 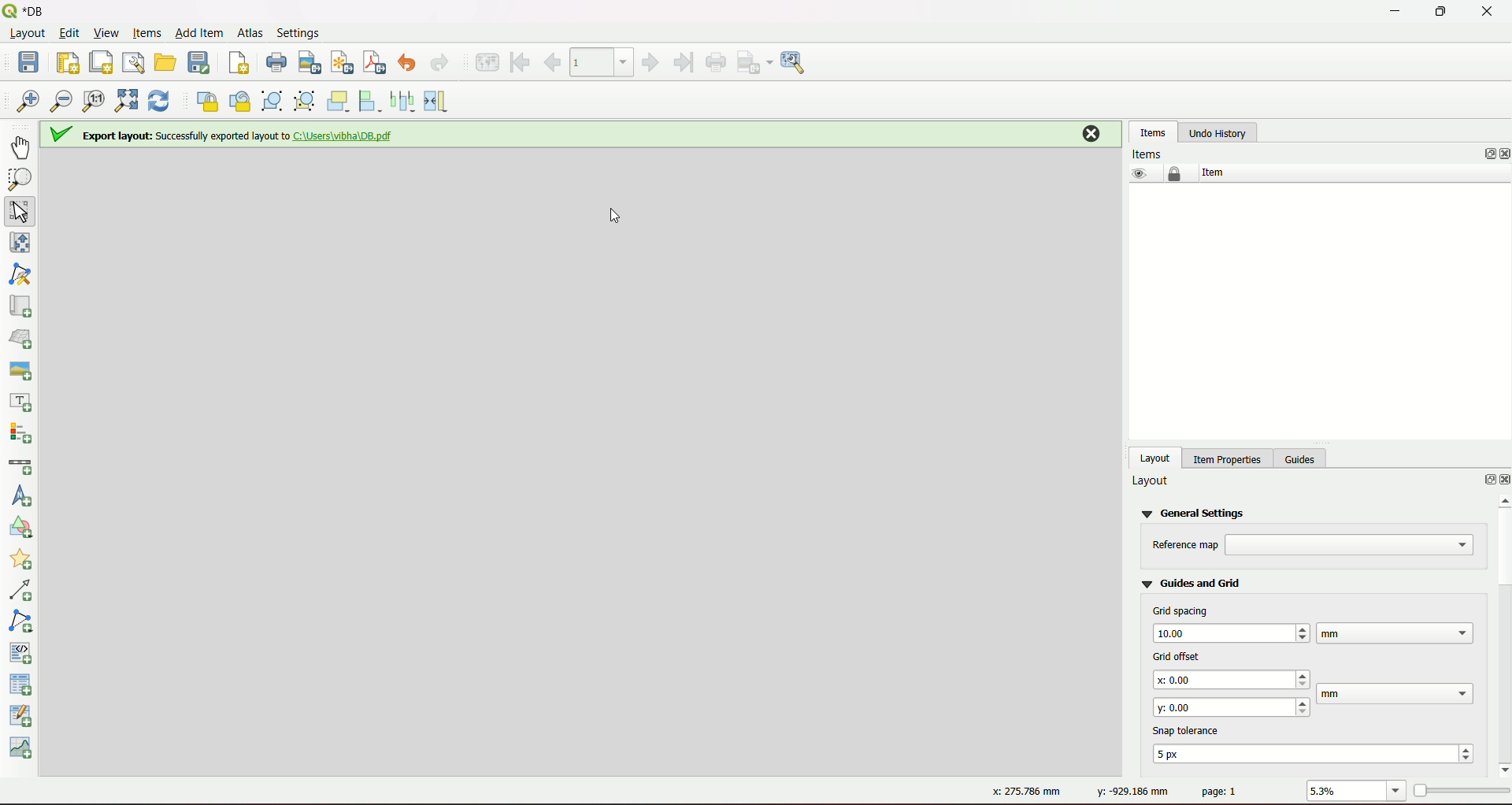 I want to click on add map, so click(x=20, y=306).